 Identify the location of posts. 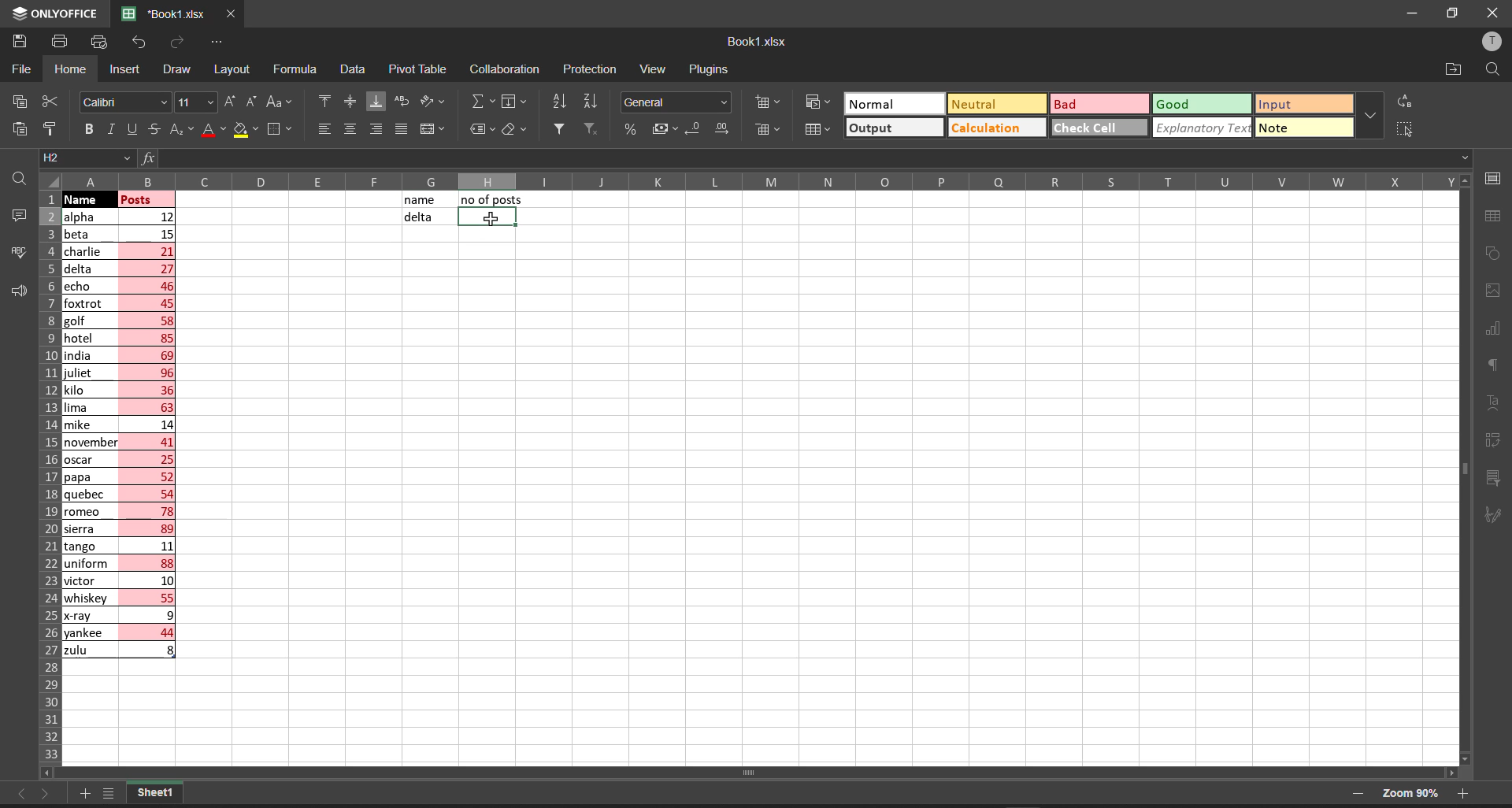
(149, 429).